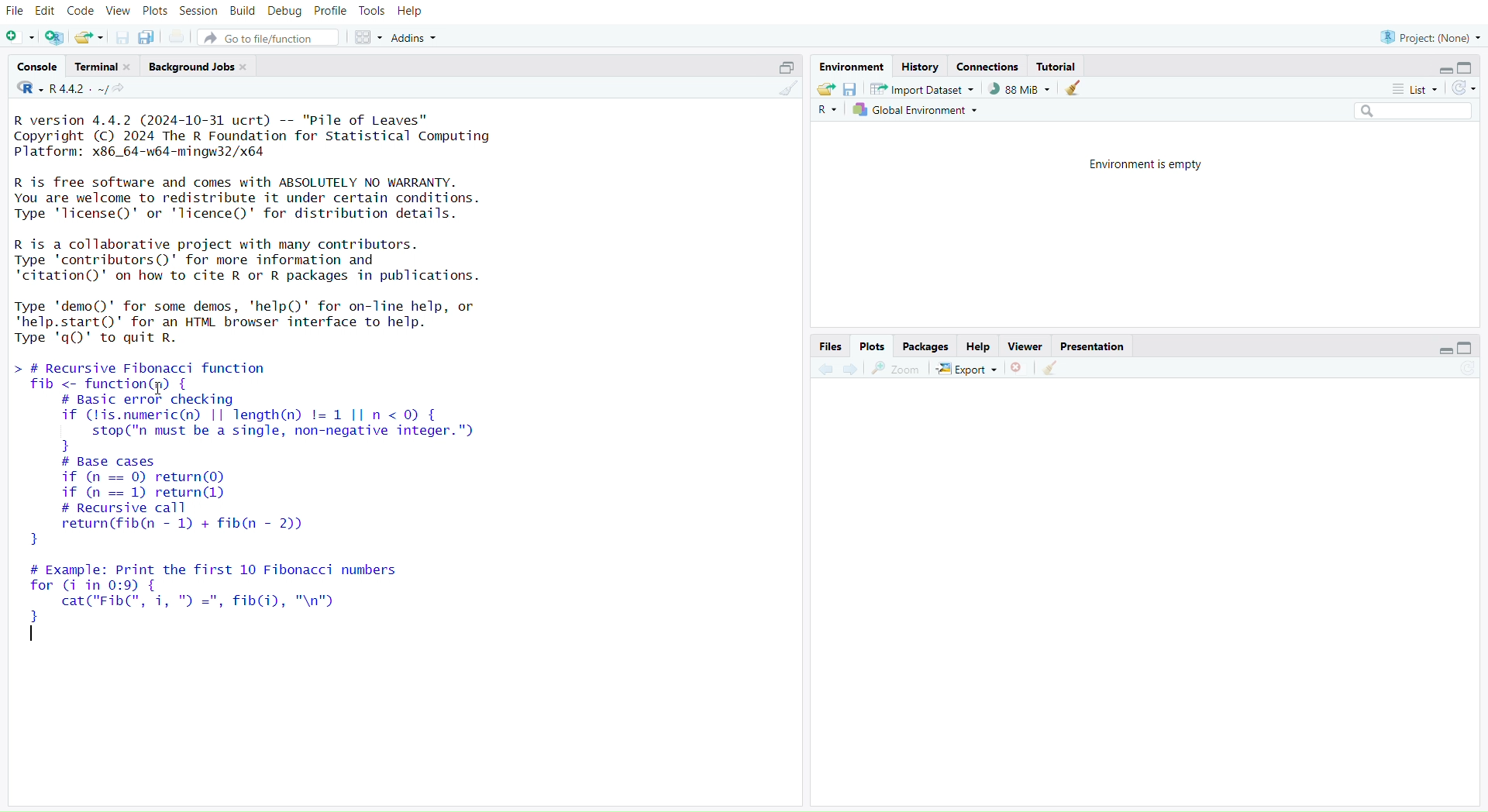  I want to click on addins, so click(418, 38).